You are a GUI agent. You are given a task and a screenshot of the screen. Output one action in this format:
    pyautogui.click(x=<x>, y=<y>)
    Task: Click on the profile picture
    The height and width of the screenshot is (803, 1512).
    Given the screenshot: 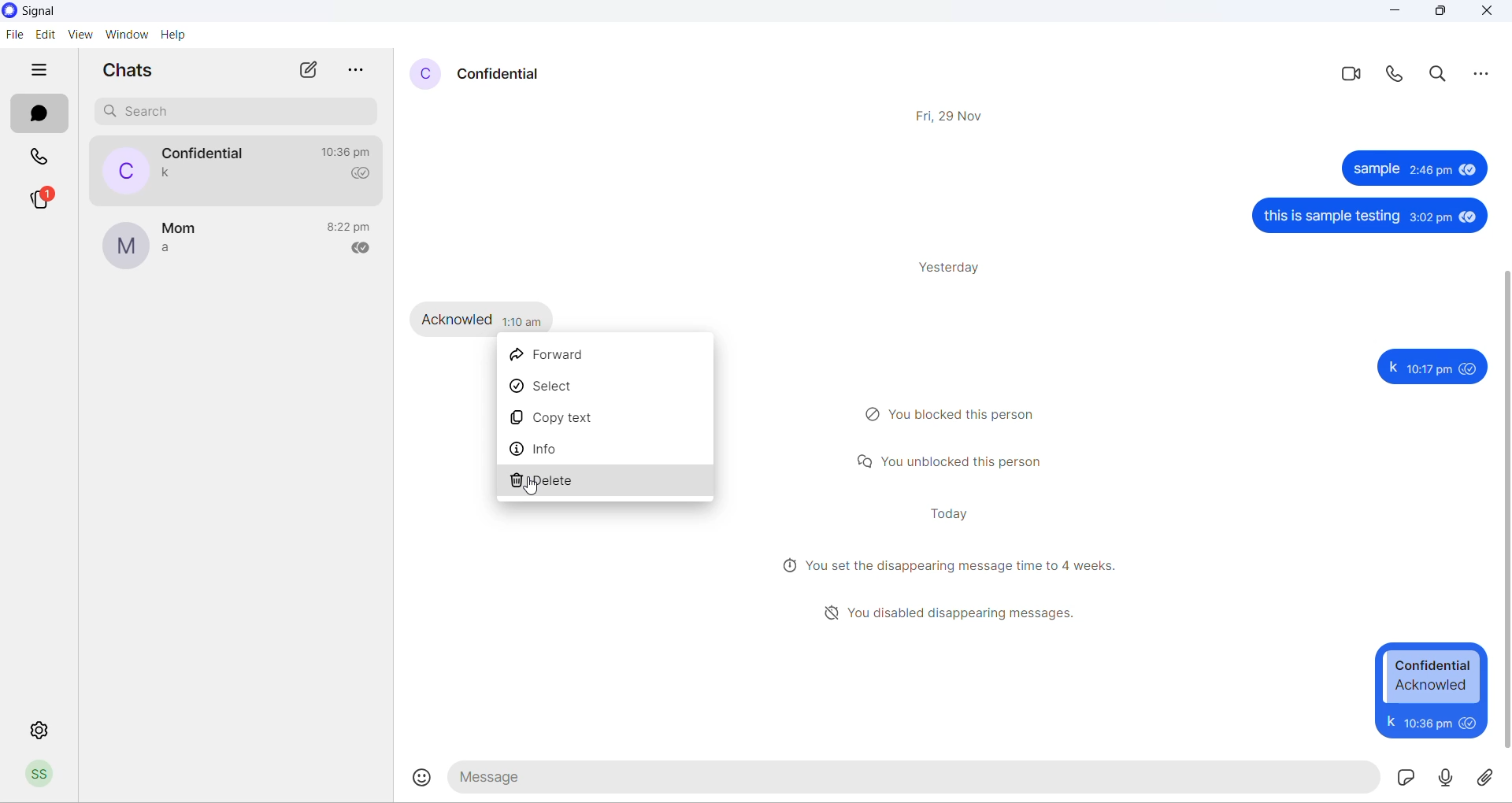 What is the action you would take?
    pyautogui.click(x=129, y=246)
    